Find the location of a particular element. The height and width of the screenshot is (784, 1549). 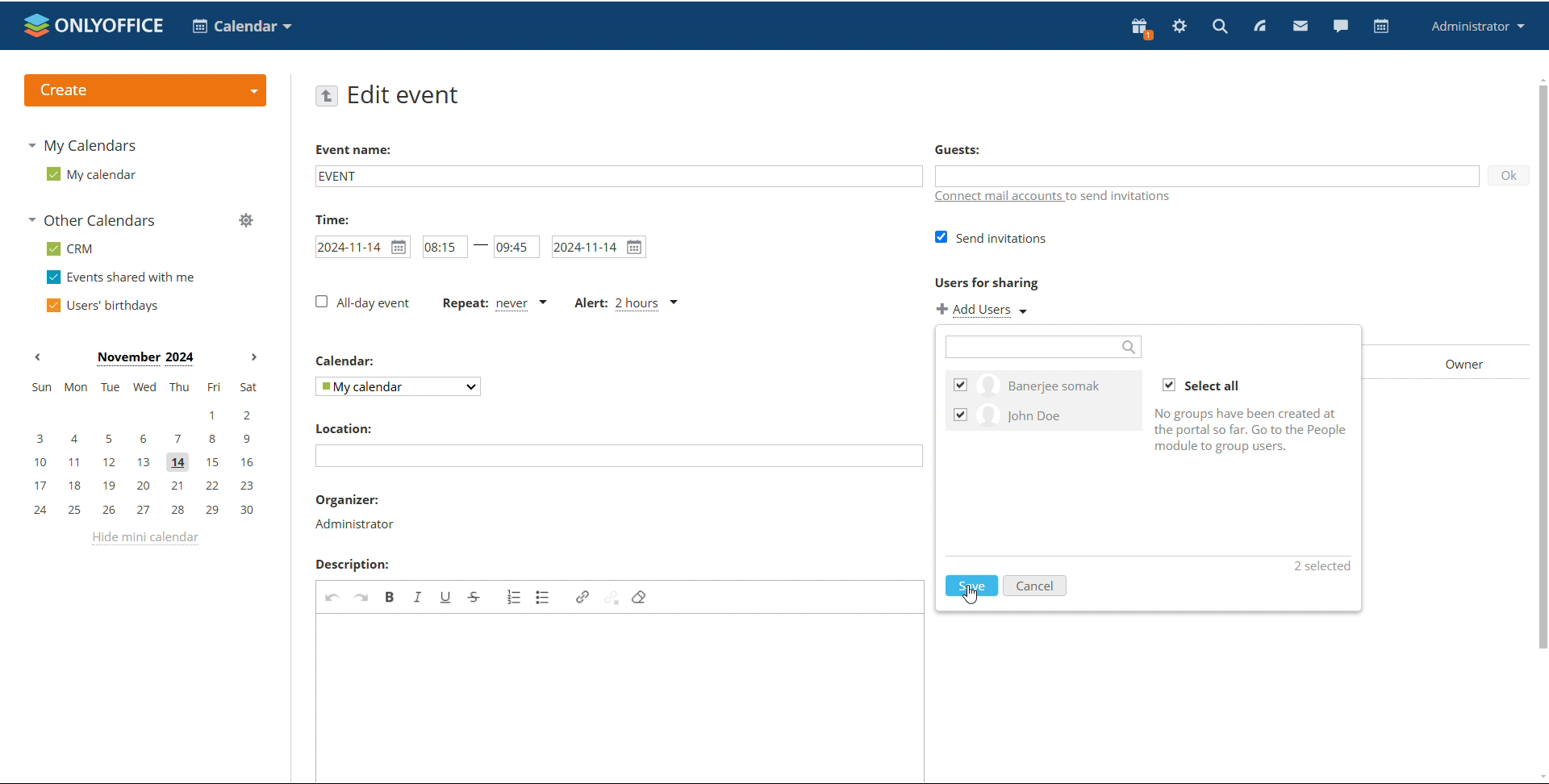

remove format is located at coordinates (639, 598).